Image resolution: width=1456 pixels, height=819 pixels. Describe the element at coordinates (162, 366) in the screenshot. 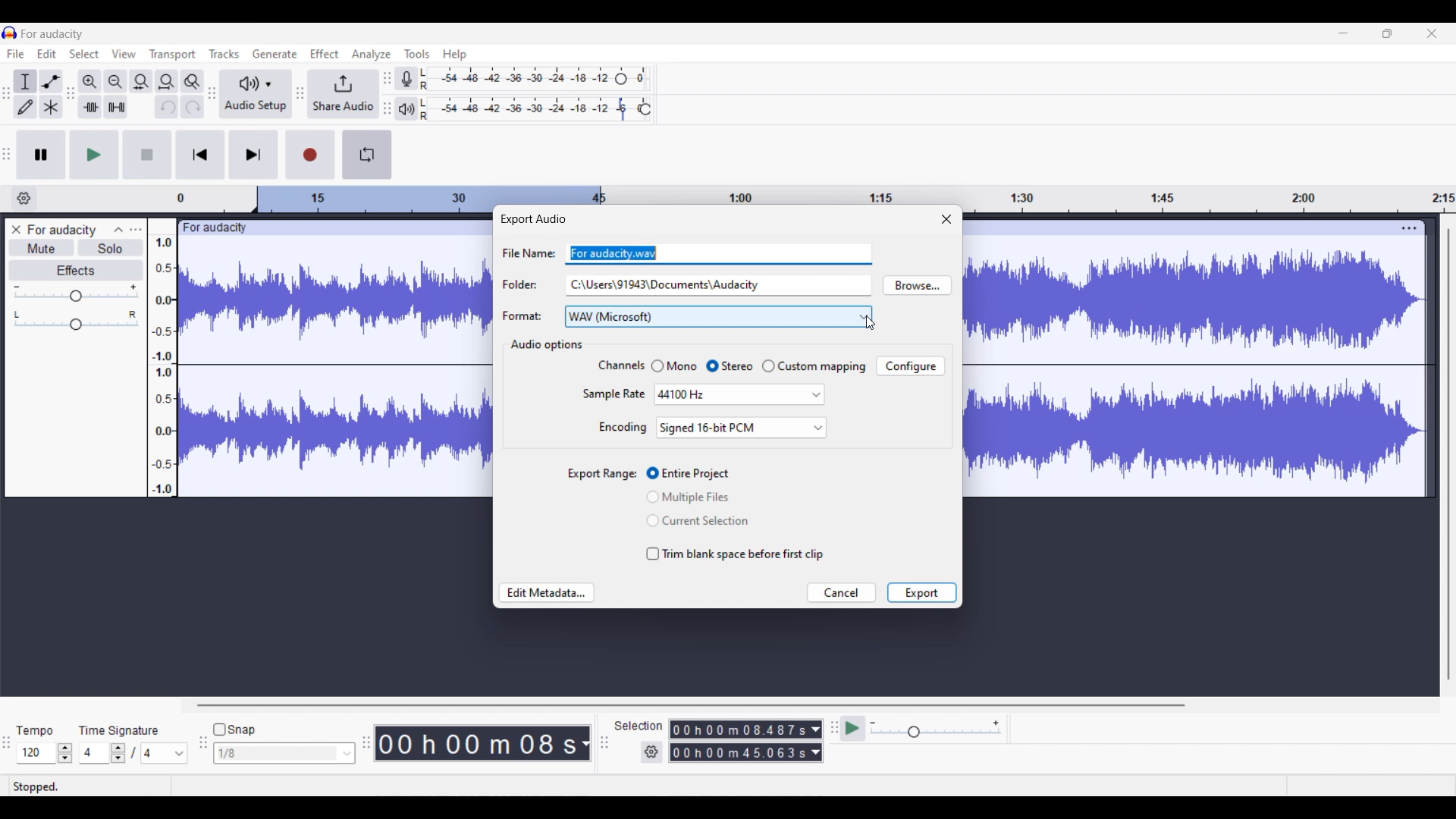

I see `Scale to measure intensty if sound` at that location.